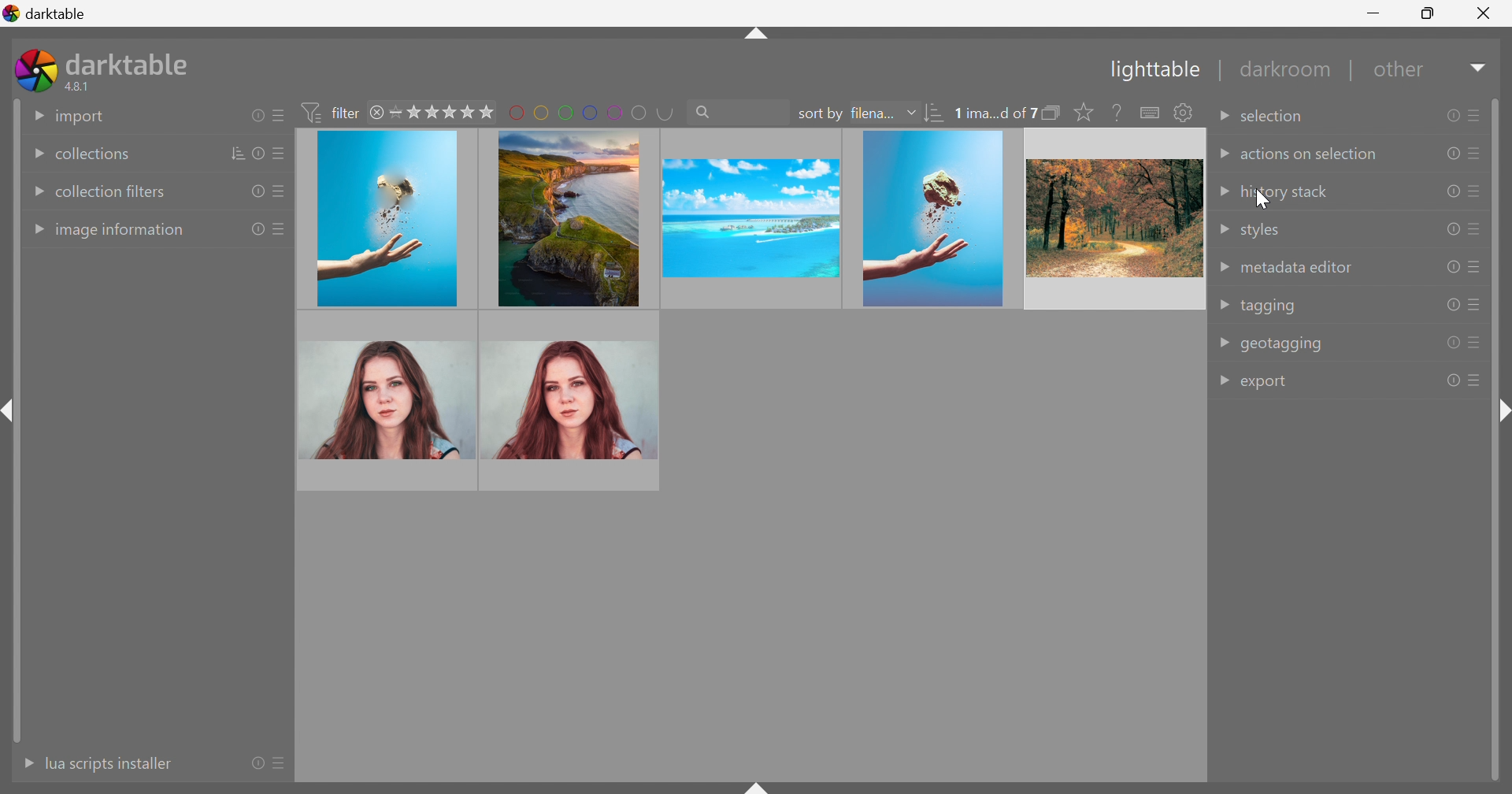 The width and height of the screenshot is (1512, 794). I want to click on filena..., so click(870, 114).